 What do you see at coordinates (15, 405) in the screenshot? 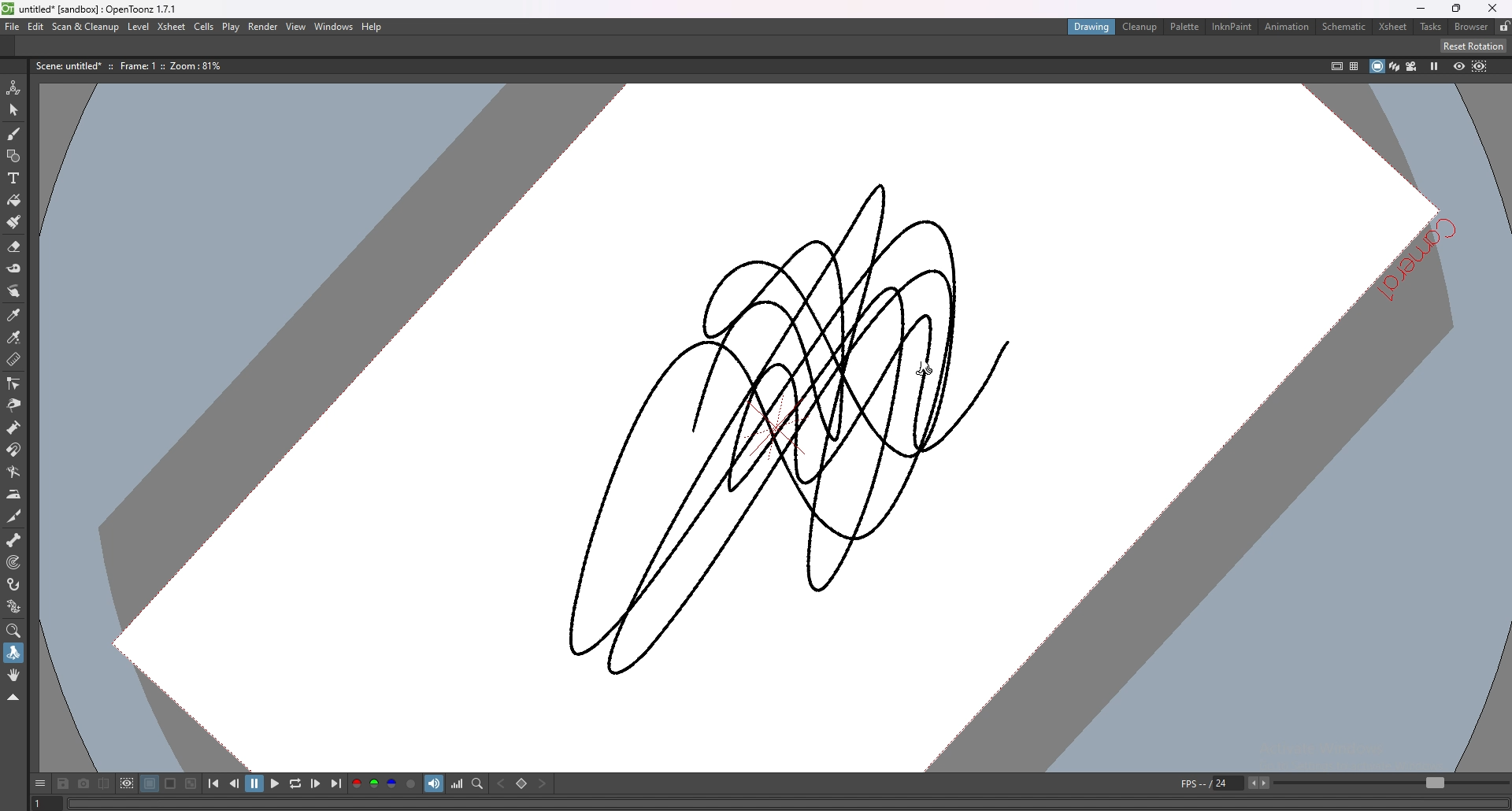
I see `pinch` at bounding box center [15, 405].